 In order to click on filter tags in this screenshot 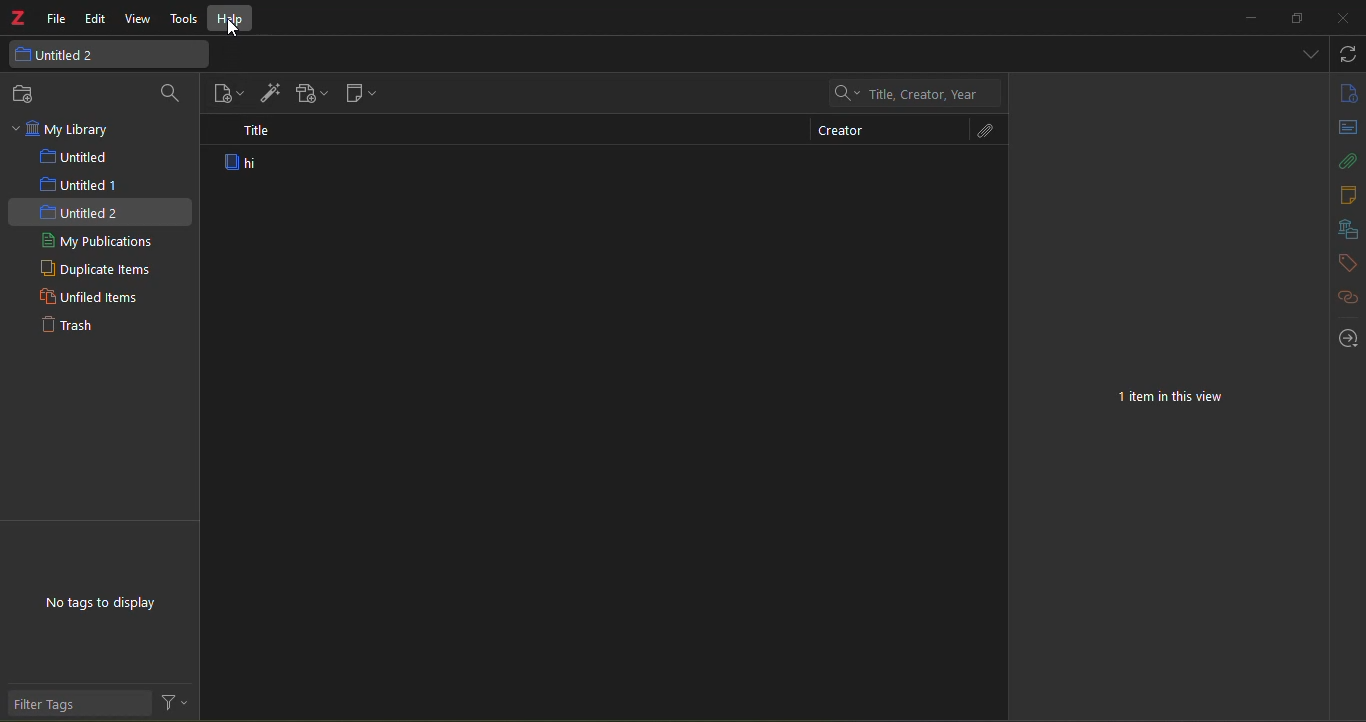, I will do `click(79, 703)`.